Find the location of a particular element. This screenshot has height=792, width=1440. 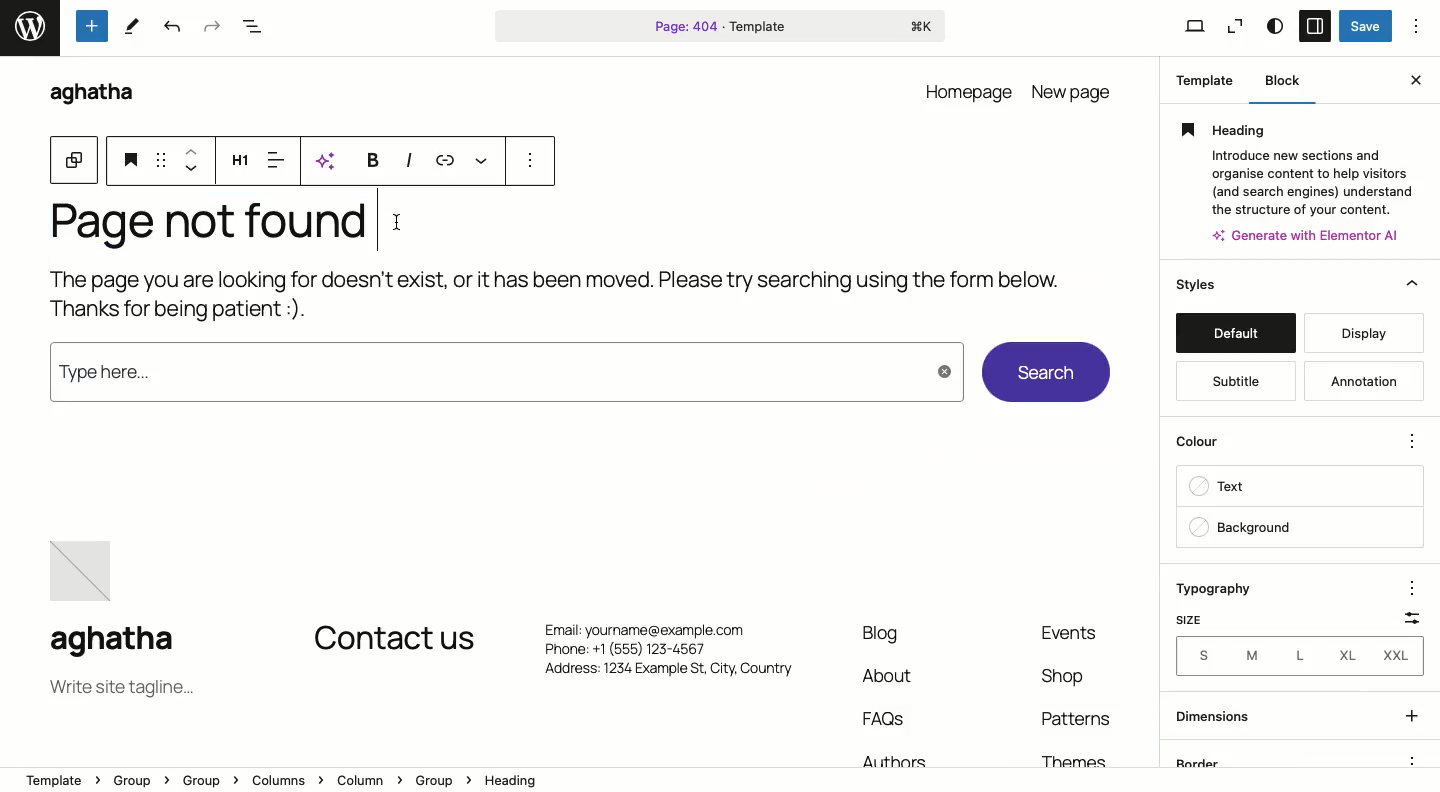

Styles is located at coordinates (1302, 286).